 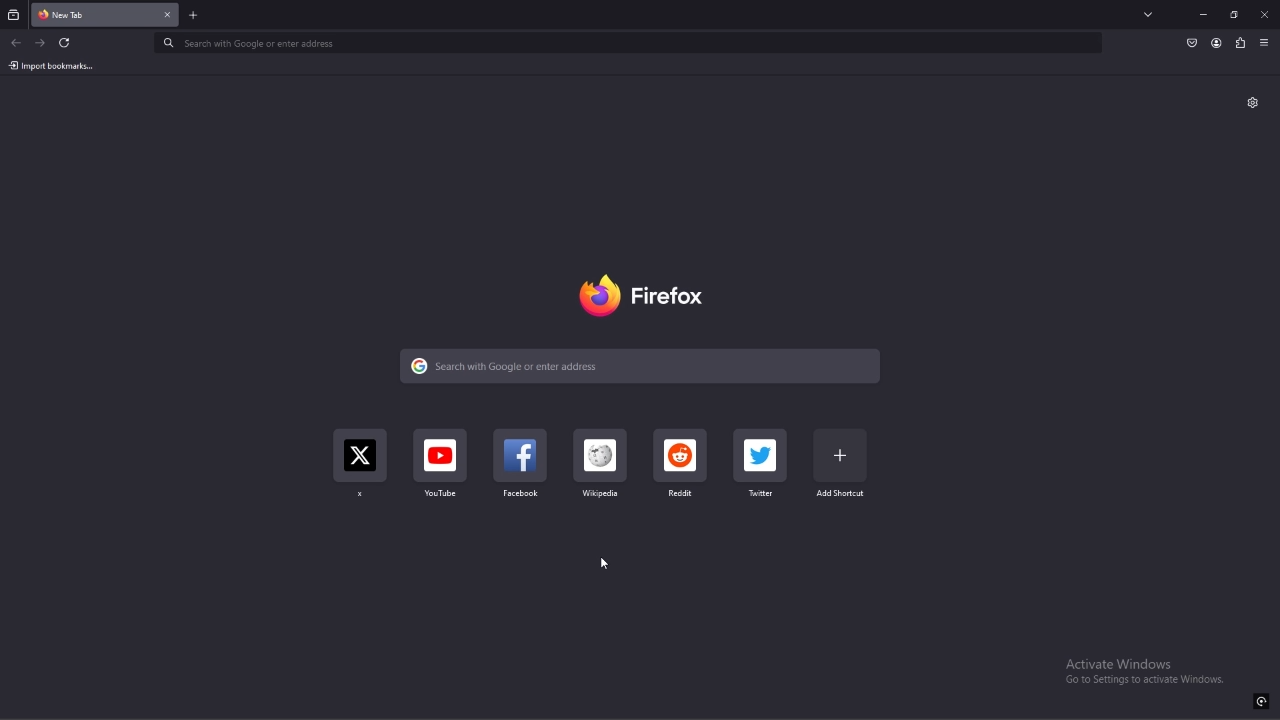 I want to click on twitter, so click(x=759, y=465).